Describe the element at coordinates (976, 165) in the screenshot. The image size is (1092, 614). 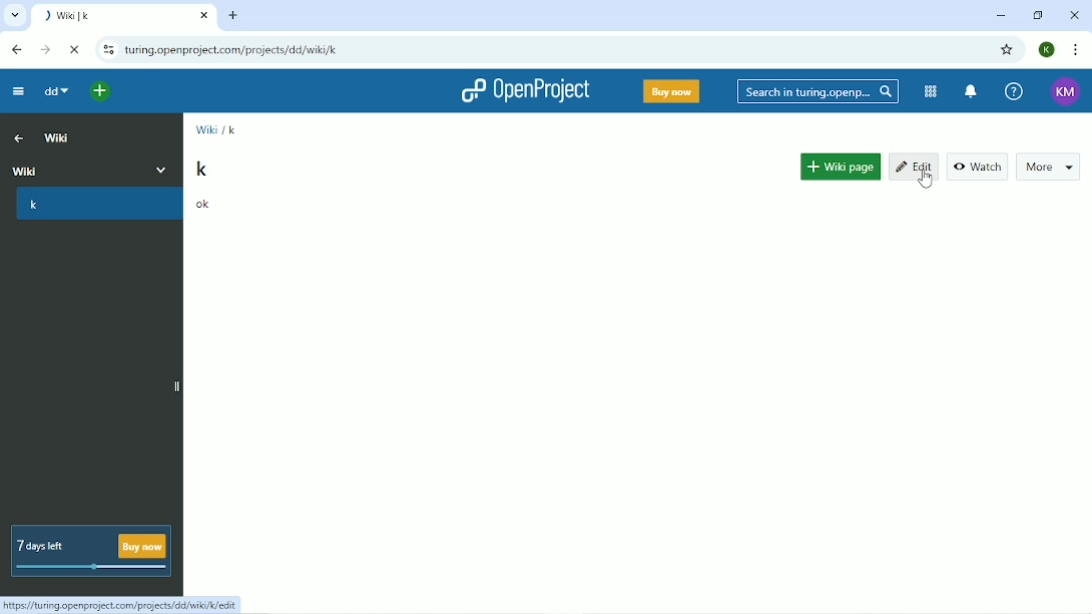
I see `Watch` at that location.